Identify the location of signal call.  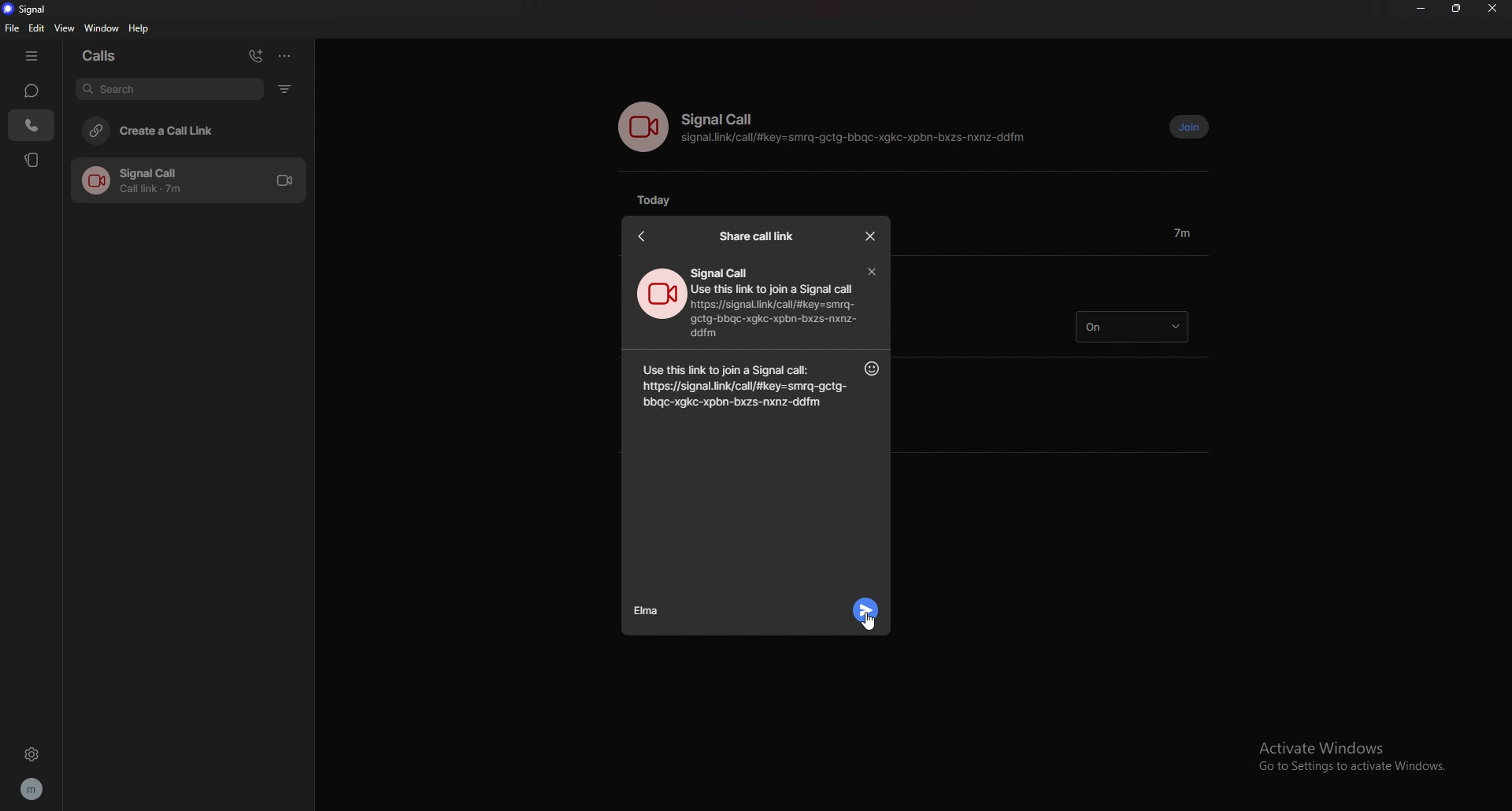
(721, 273).